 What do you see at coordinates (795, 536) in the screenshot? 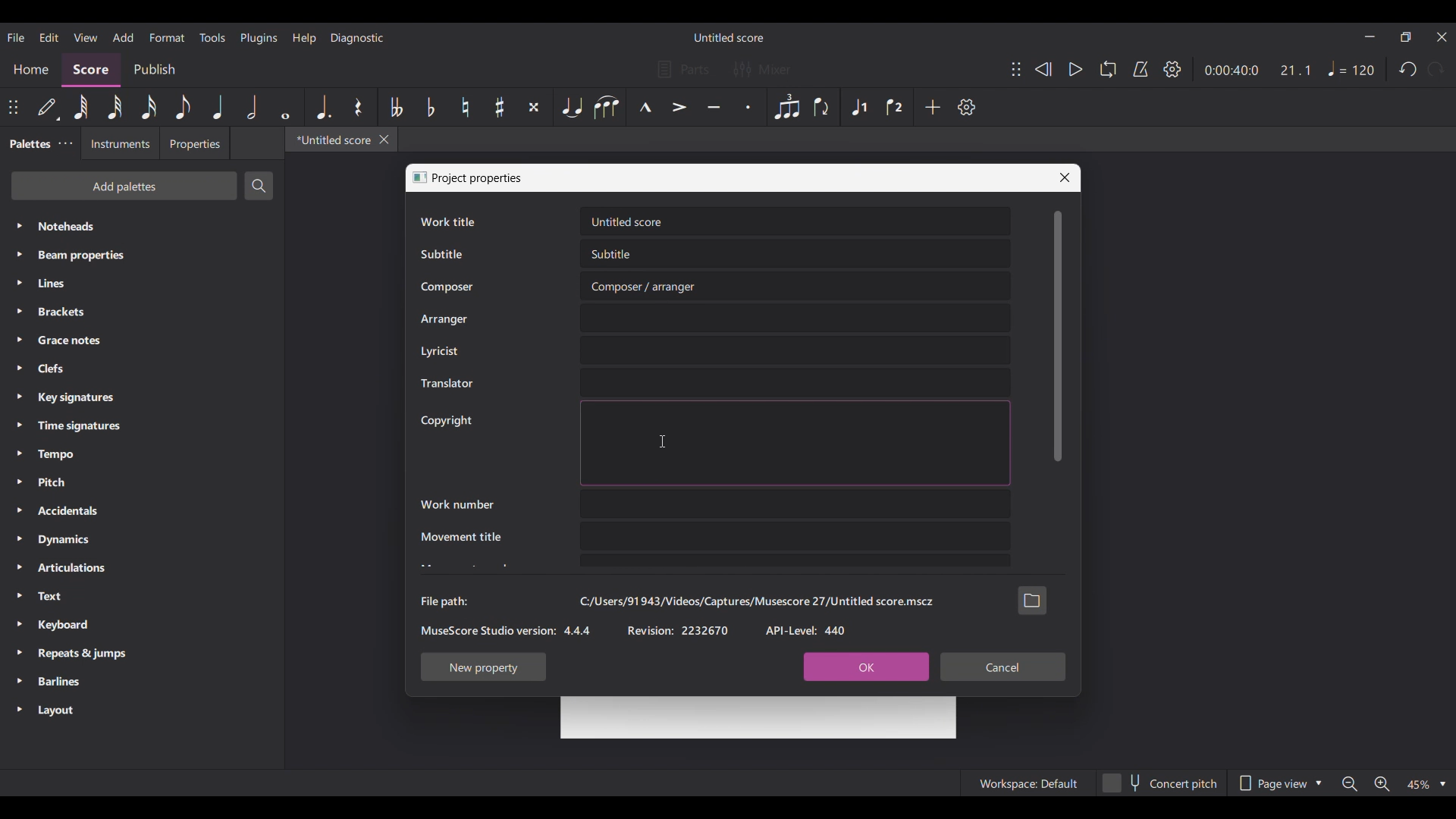
I see `Text box for Movement title` at bounding box center [795, 536].